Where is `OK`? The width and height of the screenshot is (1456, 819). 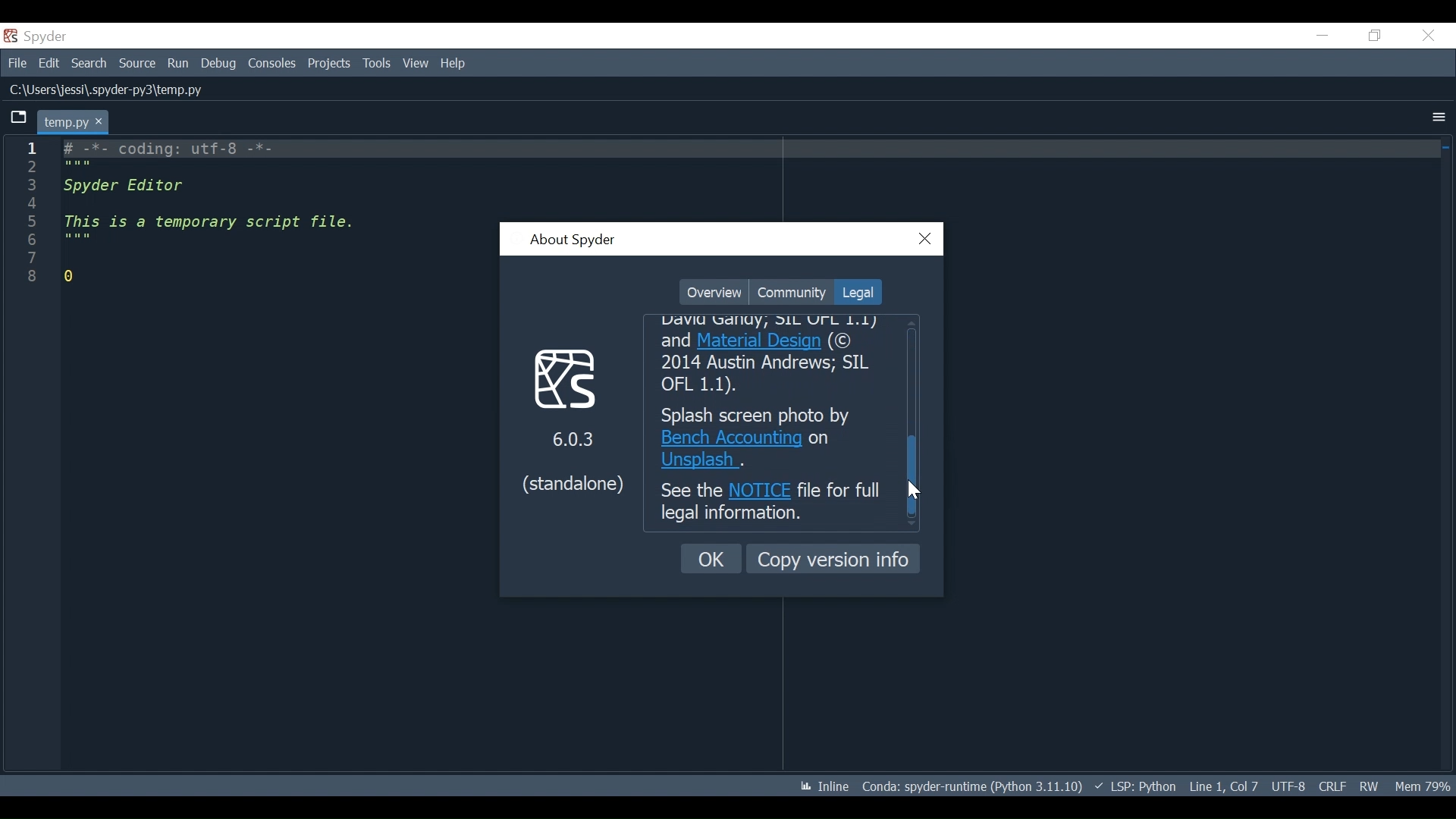 OK is located at coordinates (712, 559).